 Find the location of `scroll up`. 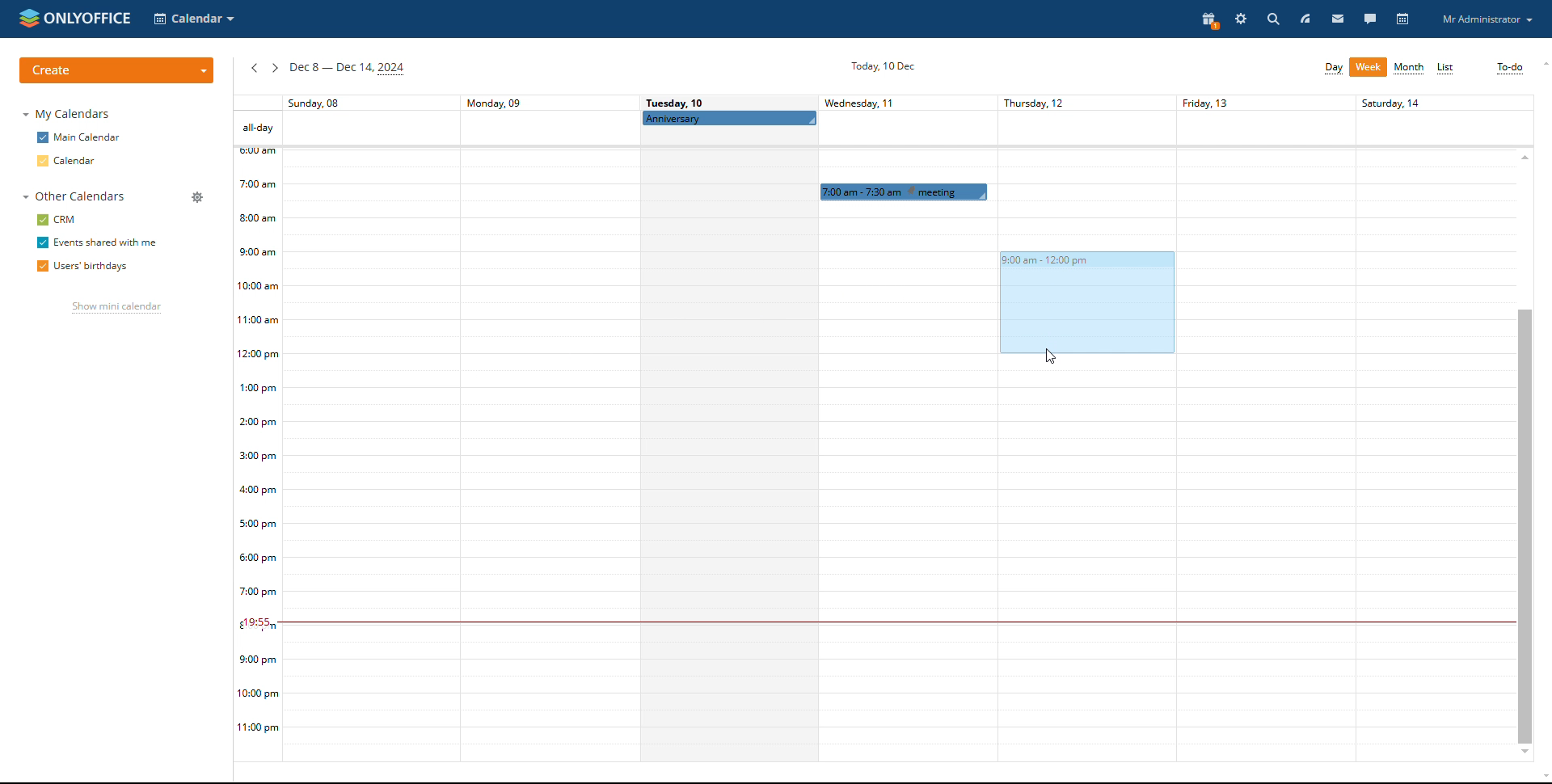

scroll up is located at coordinates (1525, 156).